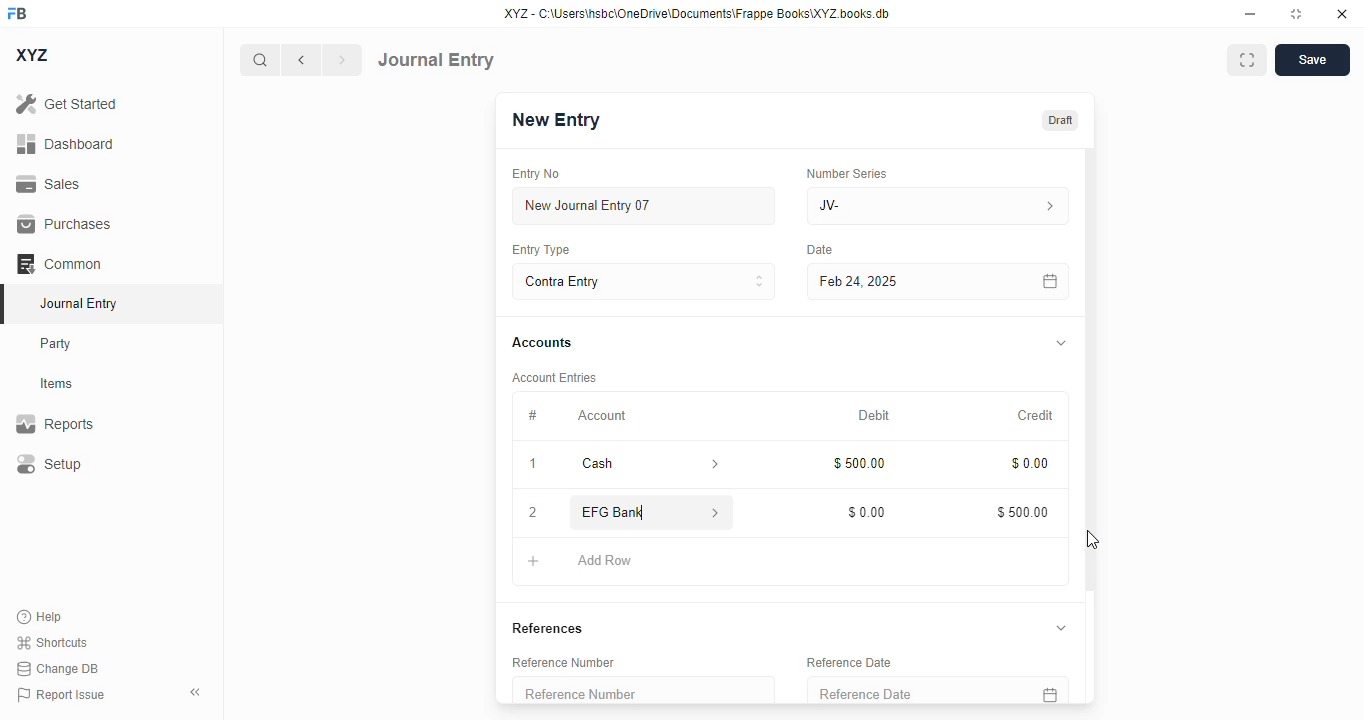  Describe the element at coordinates (531, 415) in the screenshot. I see `#` at that location.